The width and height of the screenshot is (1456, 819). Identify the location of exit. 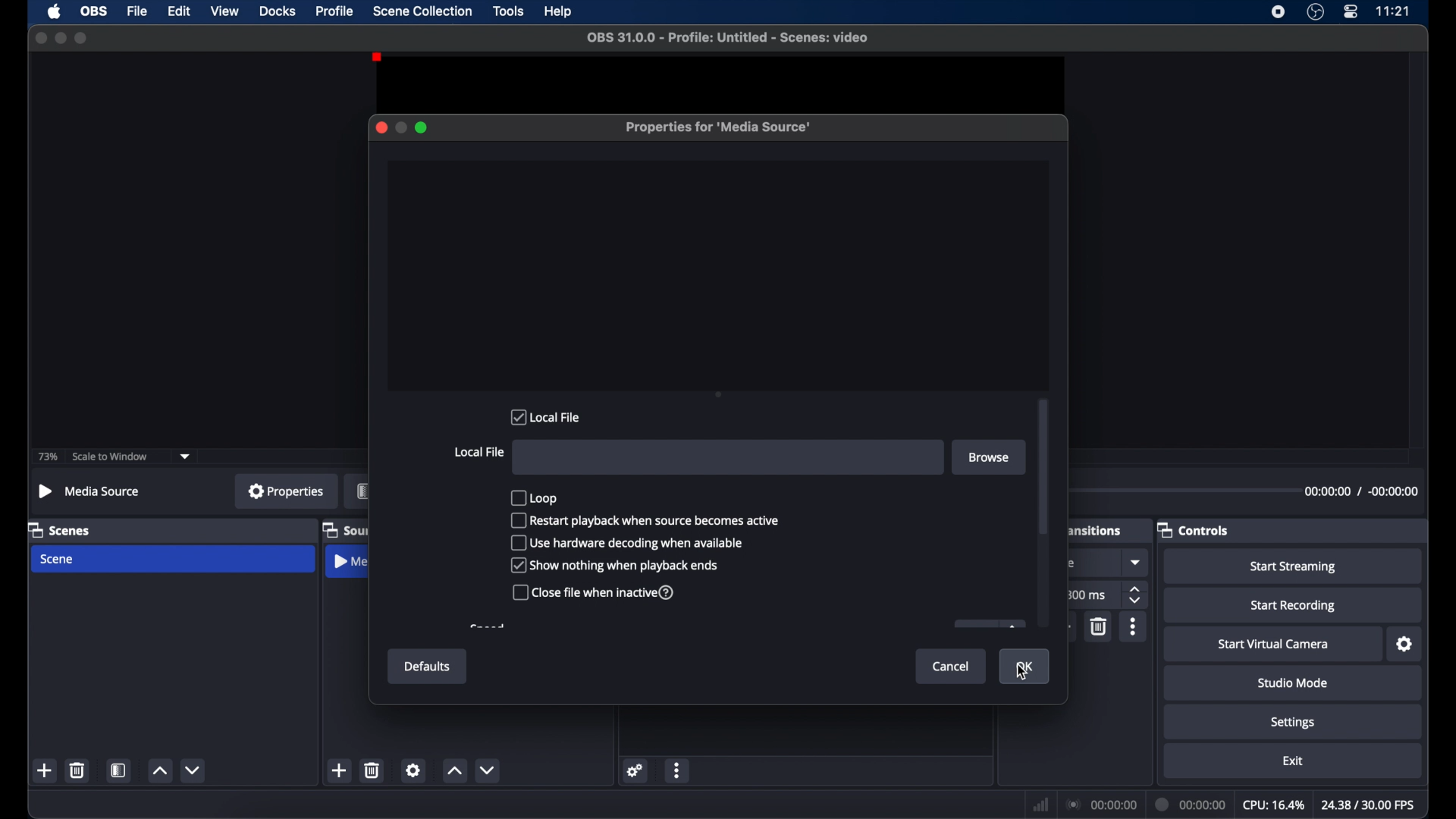
(1293, 761).